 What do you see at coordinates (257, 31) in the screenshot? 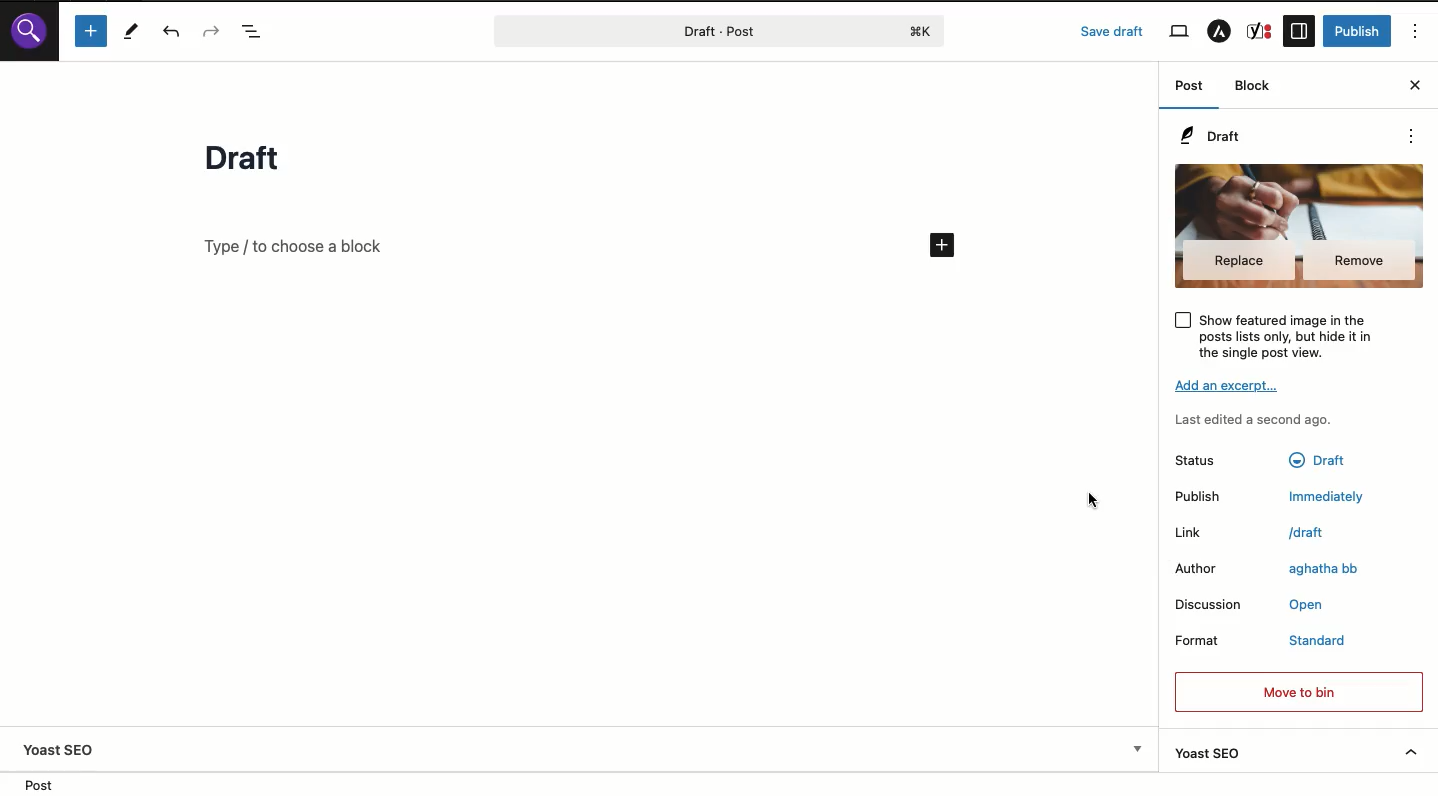
I see `Doc overview ` at bounding box center [257, 31].